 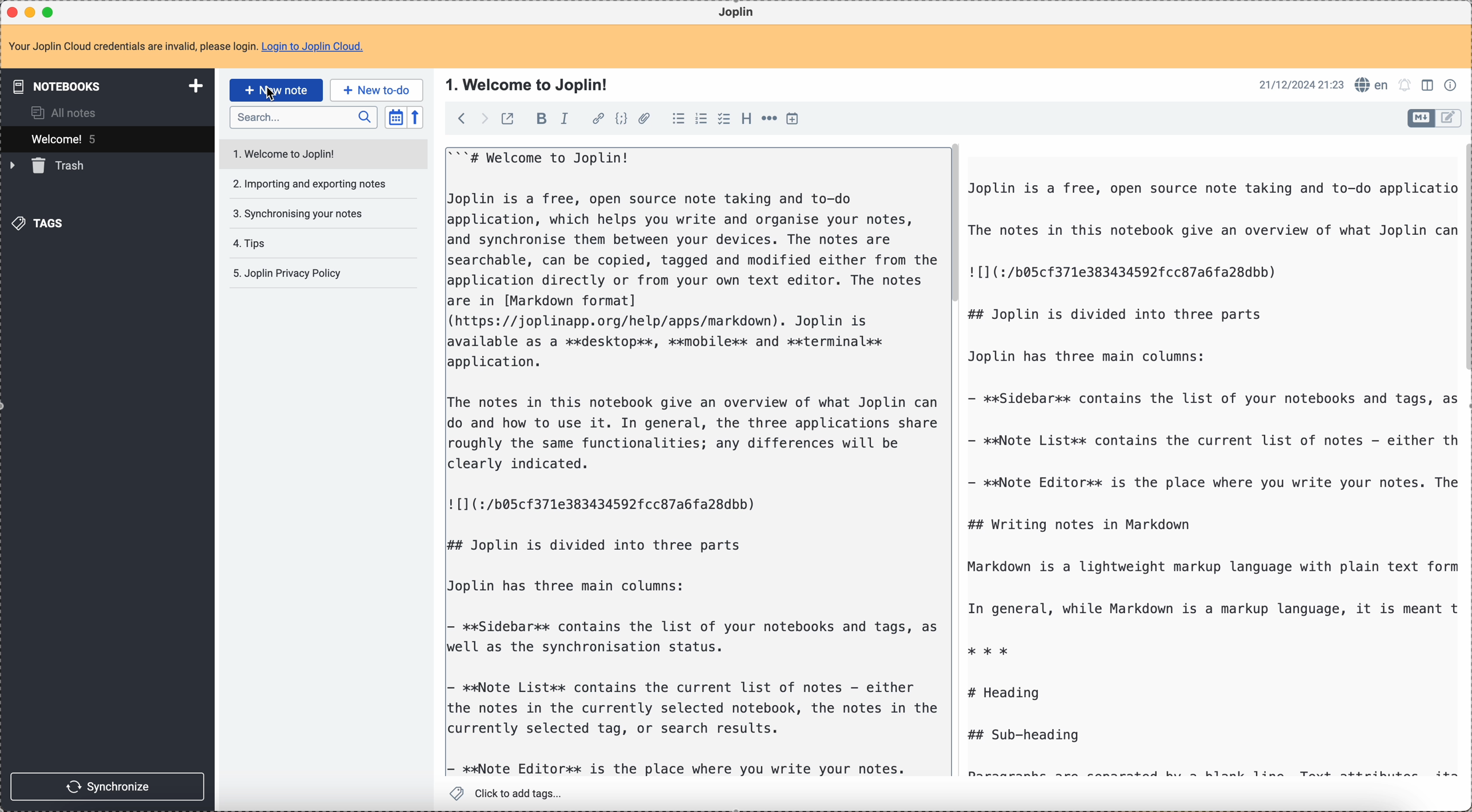 I want to click on heading, so click(x=746, y=119).